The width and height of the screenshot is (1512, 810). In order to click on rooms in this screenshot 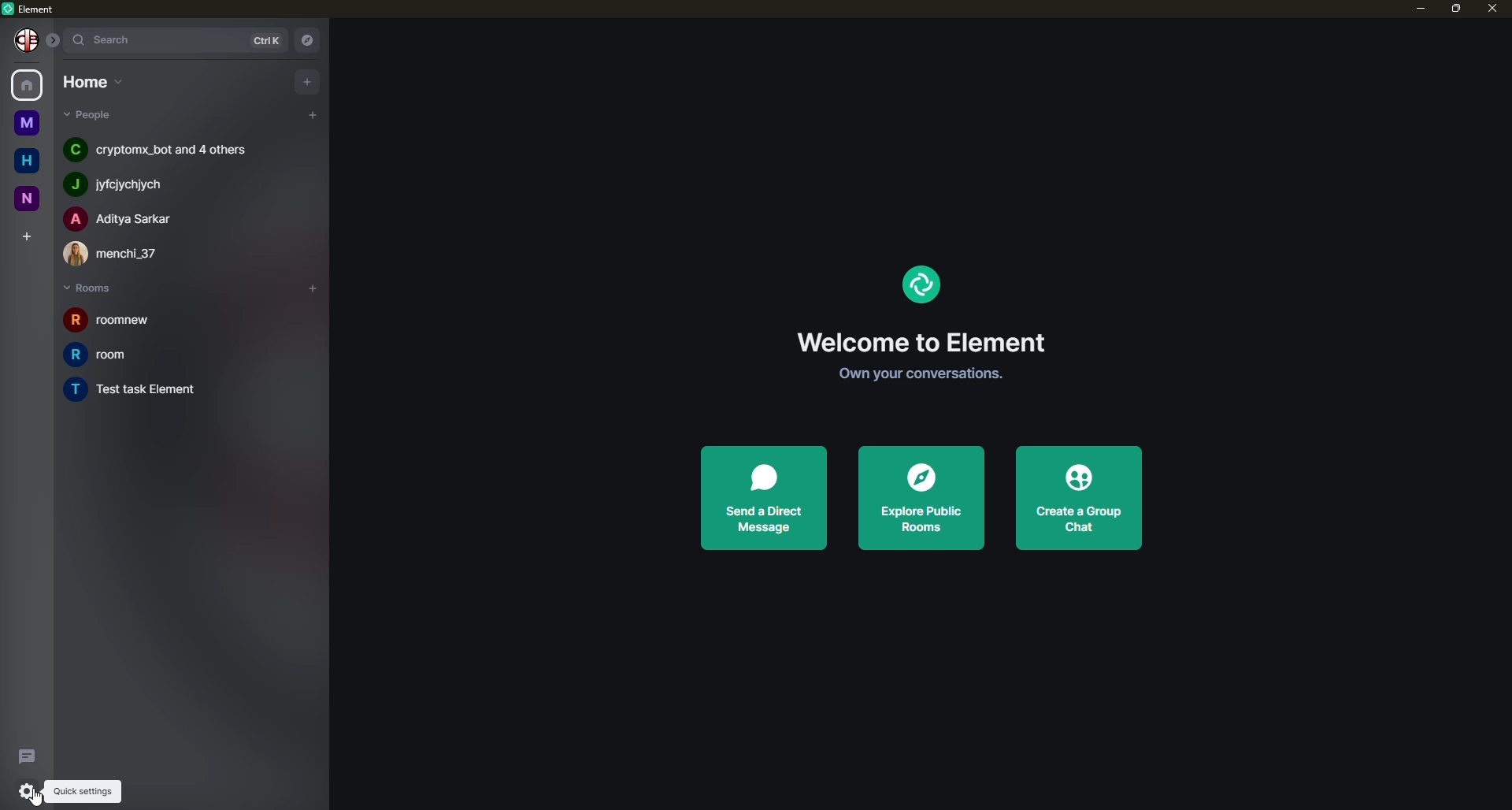, I will do `click(91, 288)`.